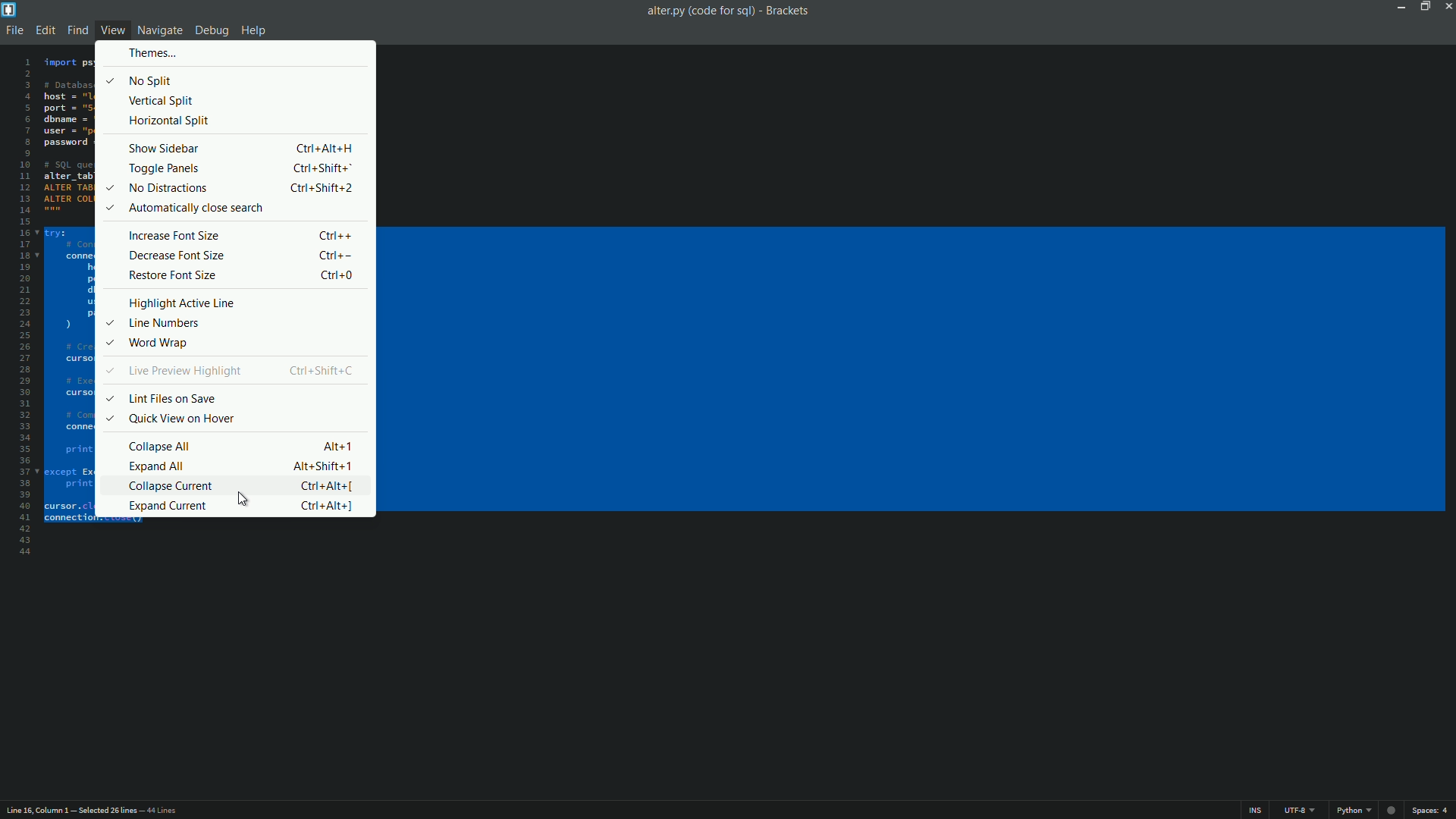 The image size is (1456, 819). Describe the element at coordinates (325, 466) in the screenshot. I see `keyboard shortcut` at that location.